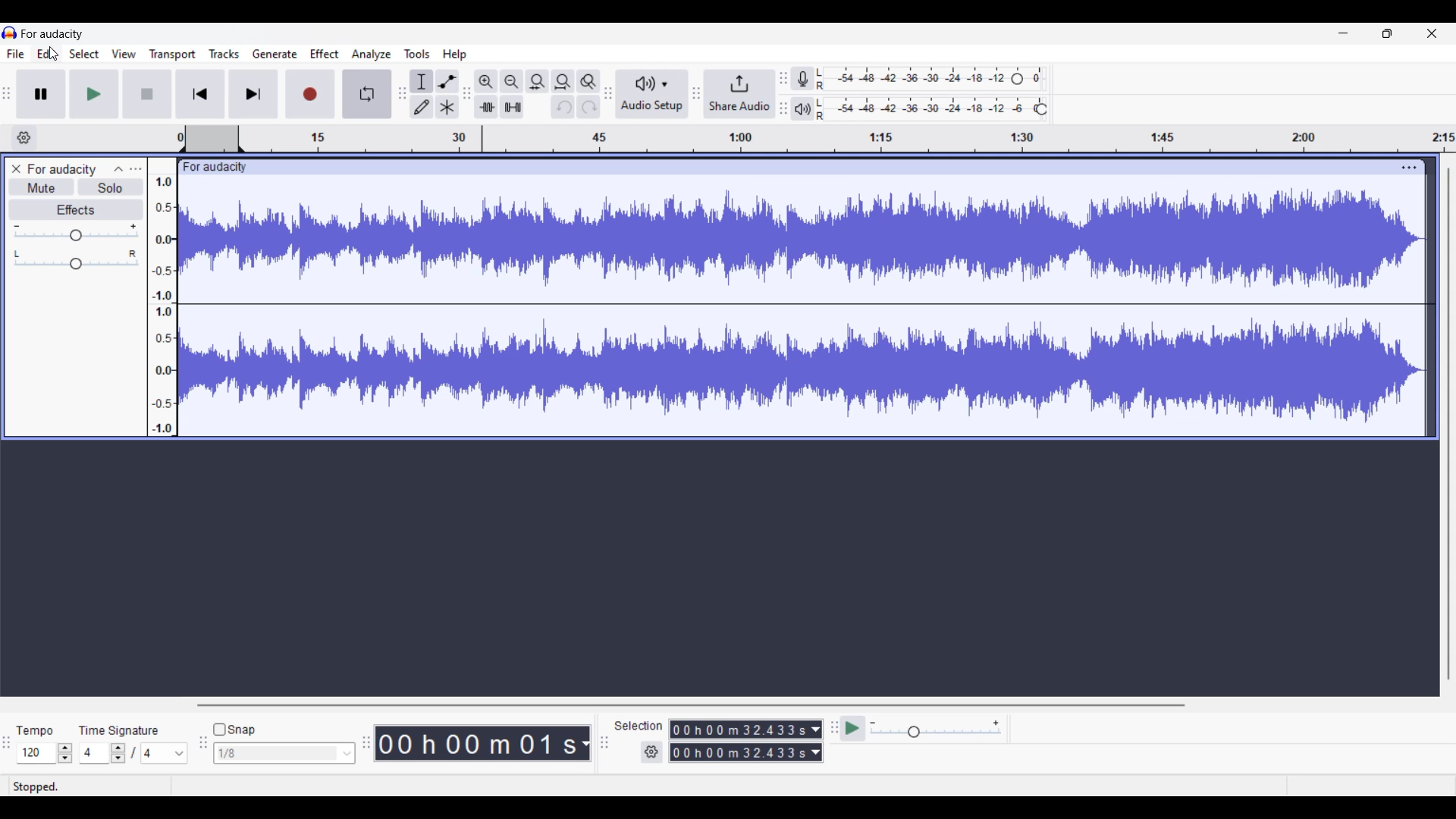  Describe the element at coordinates (563, 107) in the screenshot. I see `Undo` at that location.